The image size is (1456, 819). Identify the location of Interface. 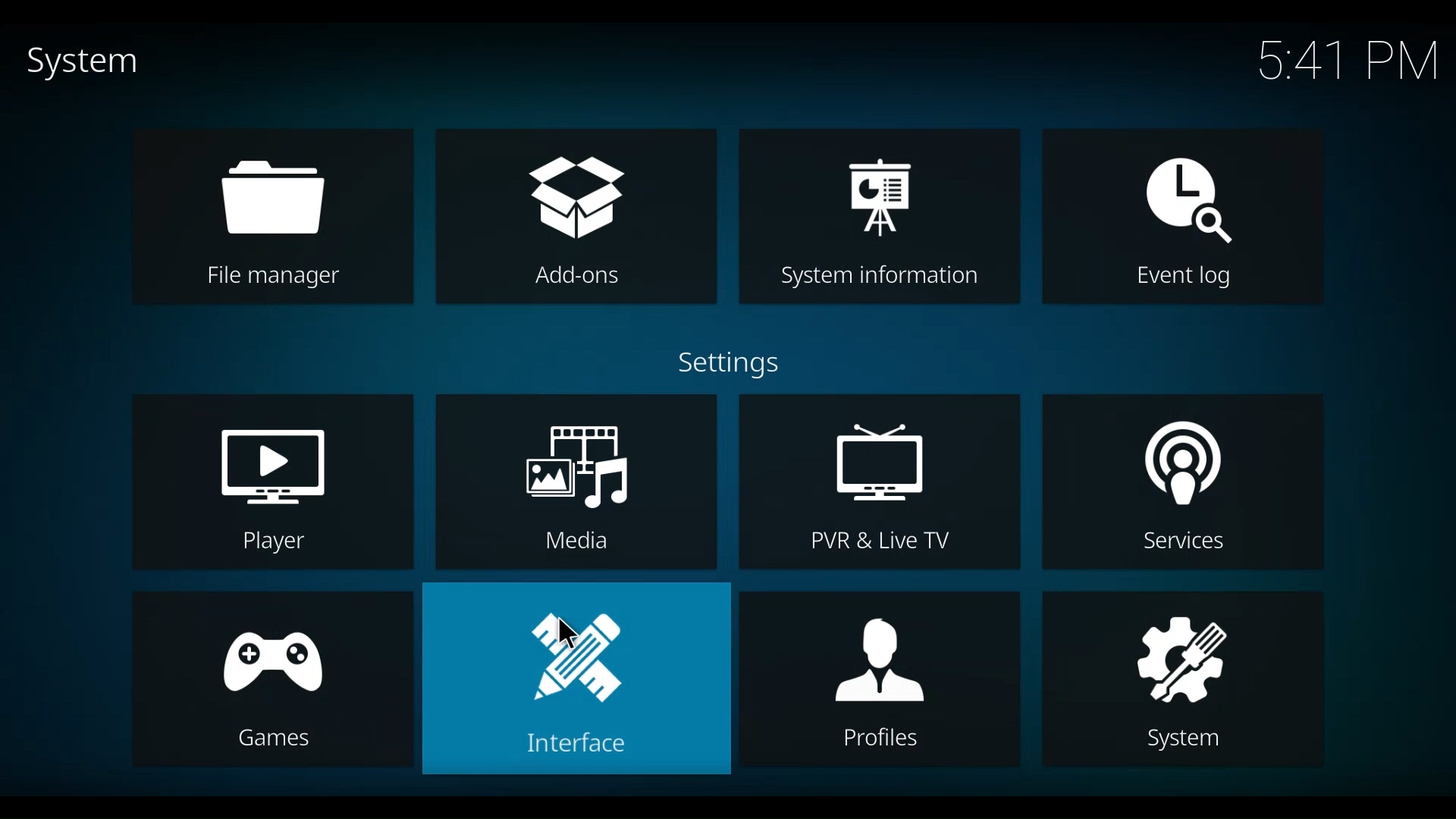
(576, 679).